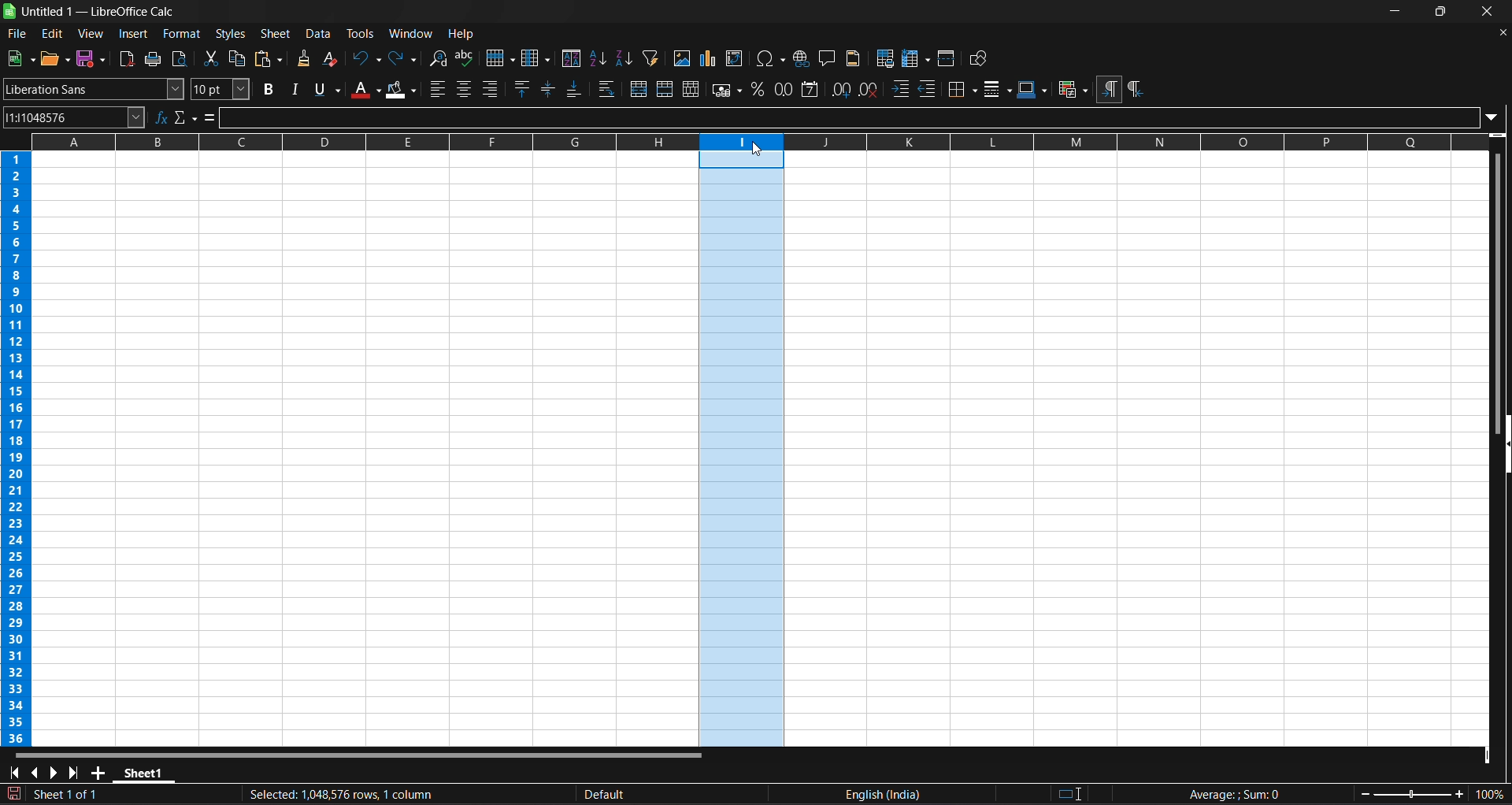 The width and height of the screenshot is (1512, 805). Describe the element at coordinates (276, 796) in the screenshot. I see `Document has been modified. CLick to save the document.` at that location.